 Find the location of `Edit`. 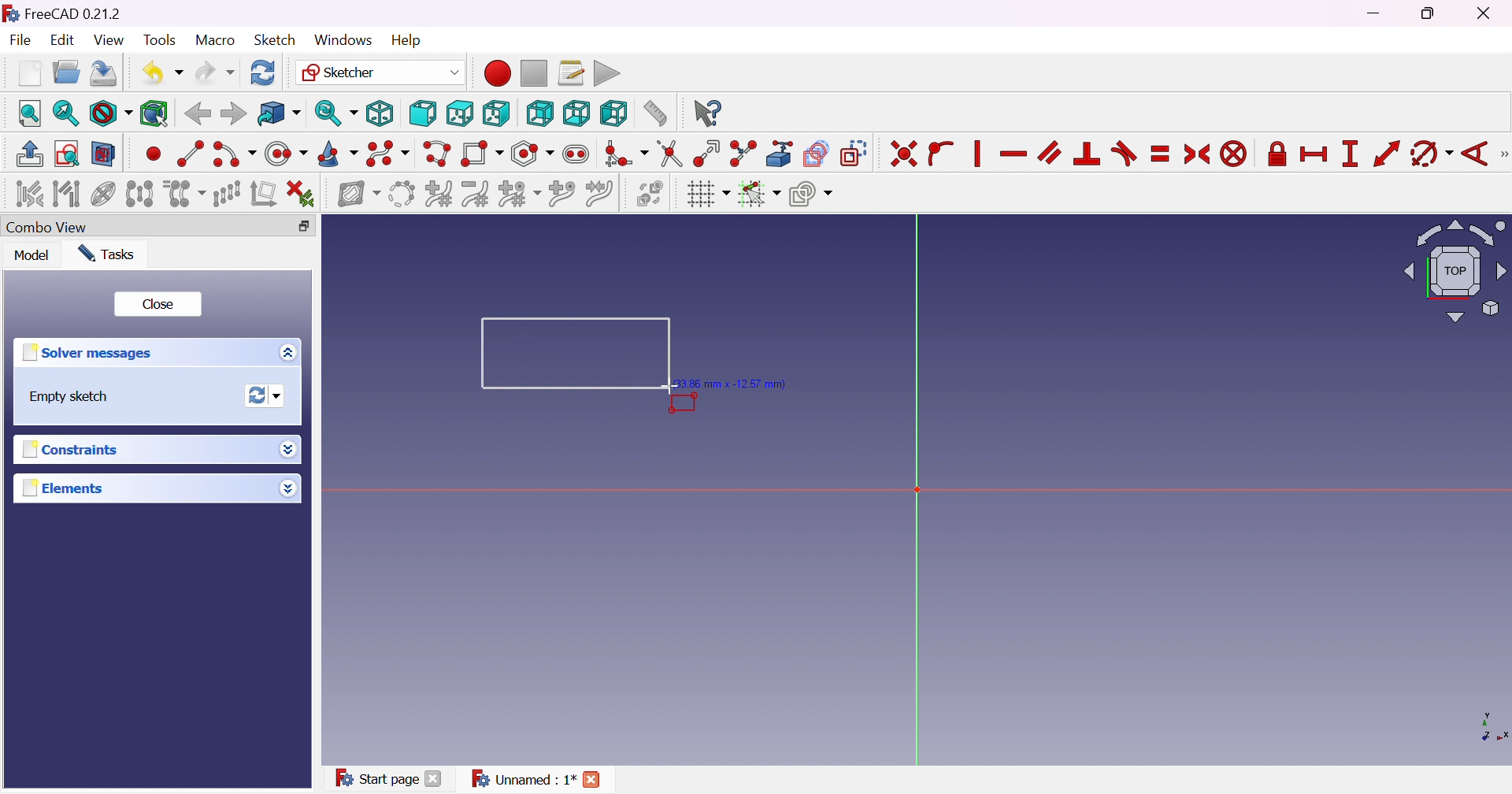

Edit is located at coordinates (64, 41).